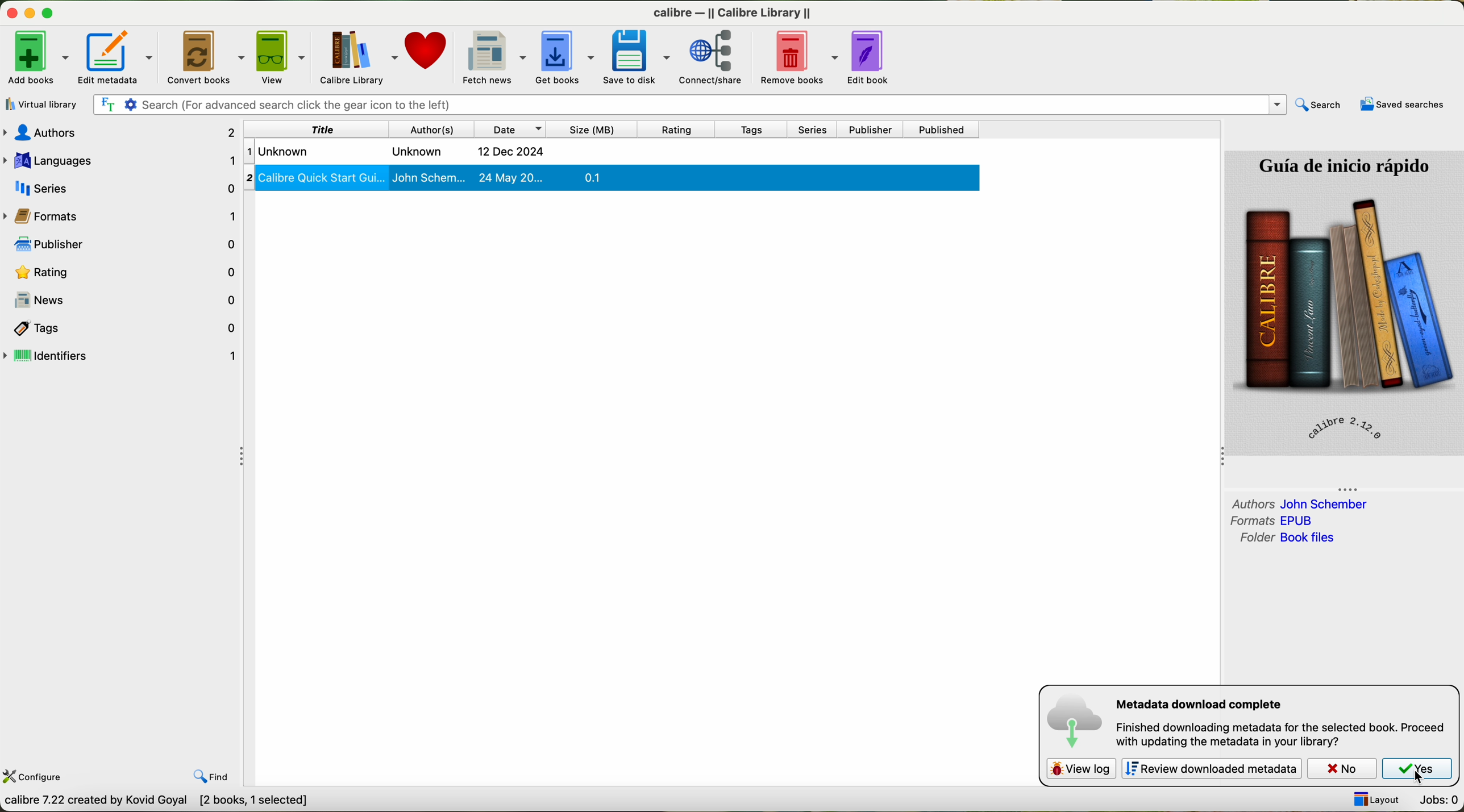 The height and width of the screenshot is (812, 1464). Describe the element at coordinates (207, 57) in the screenshot. I see `convert books` at that location.